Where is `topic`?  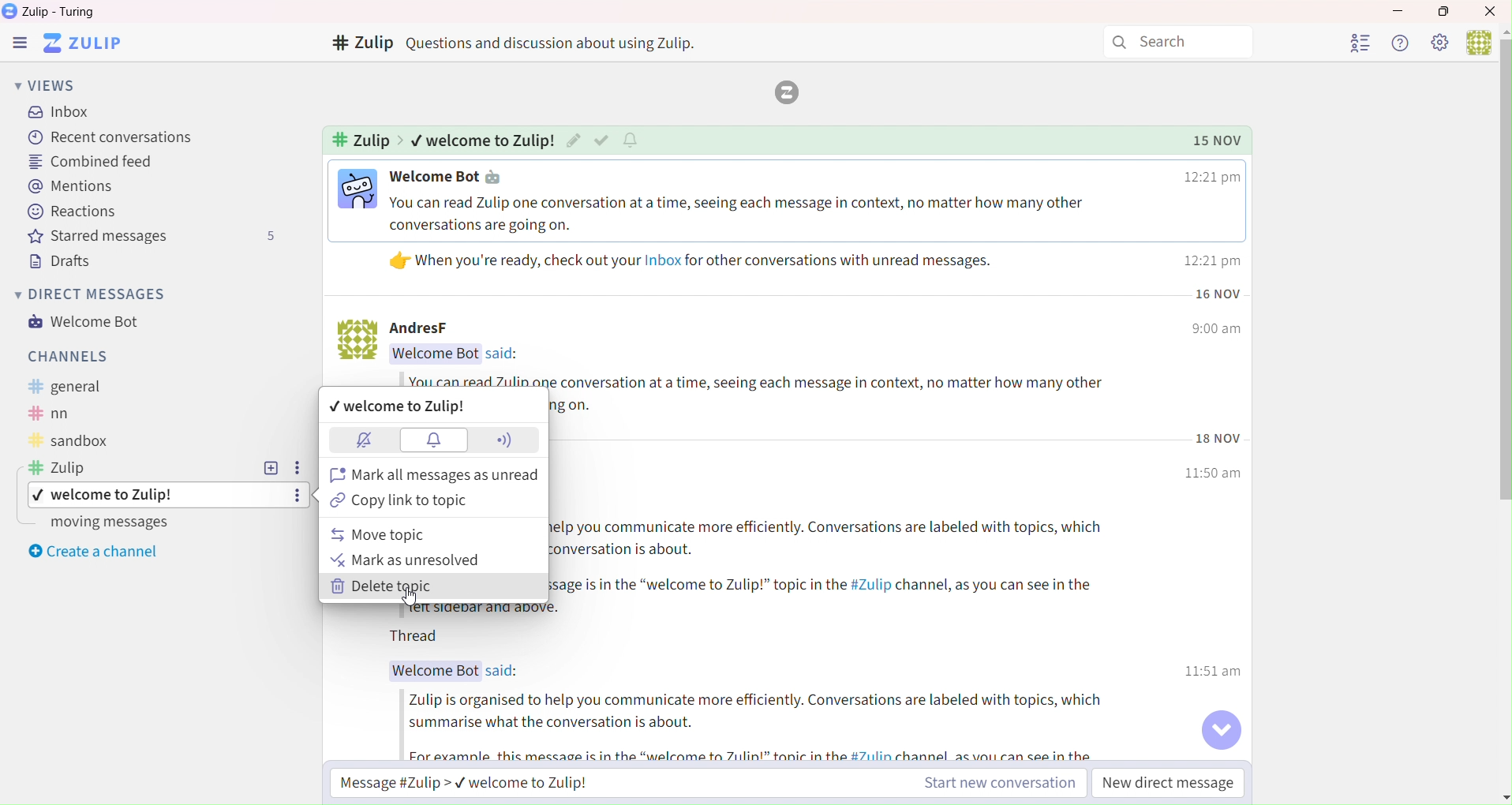
topic is located at coordinates (119, 495).